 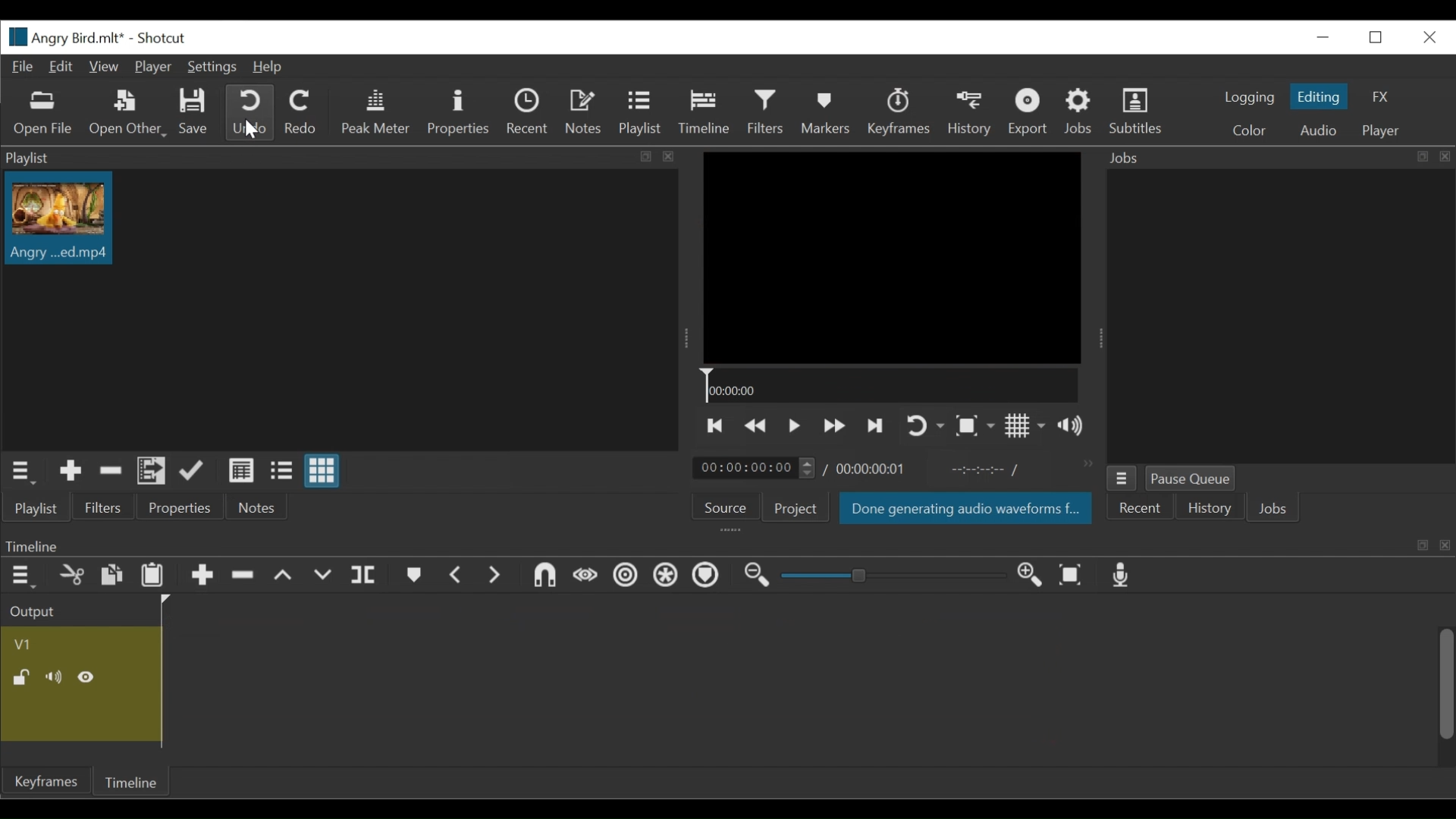 I want to click on logging, so click(x=1250, y=97).